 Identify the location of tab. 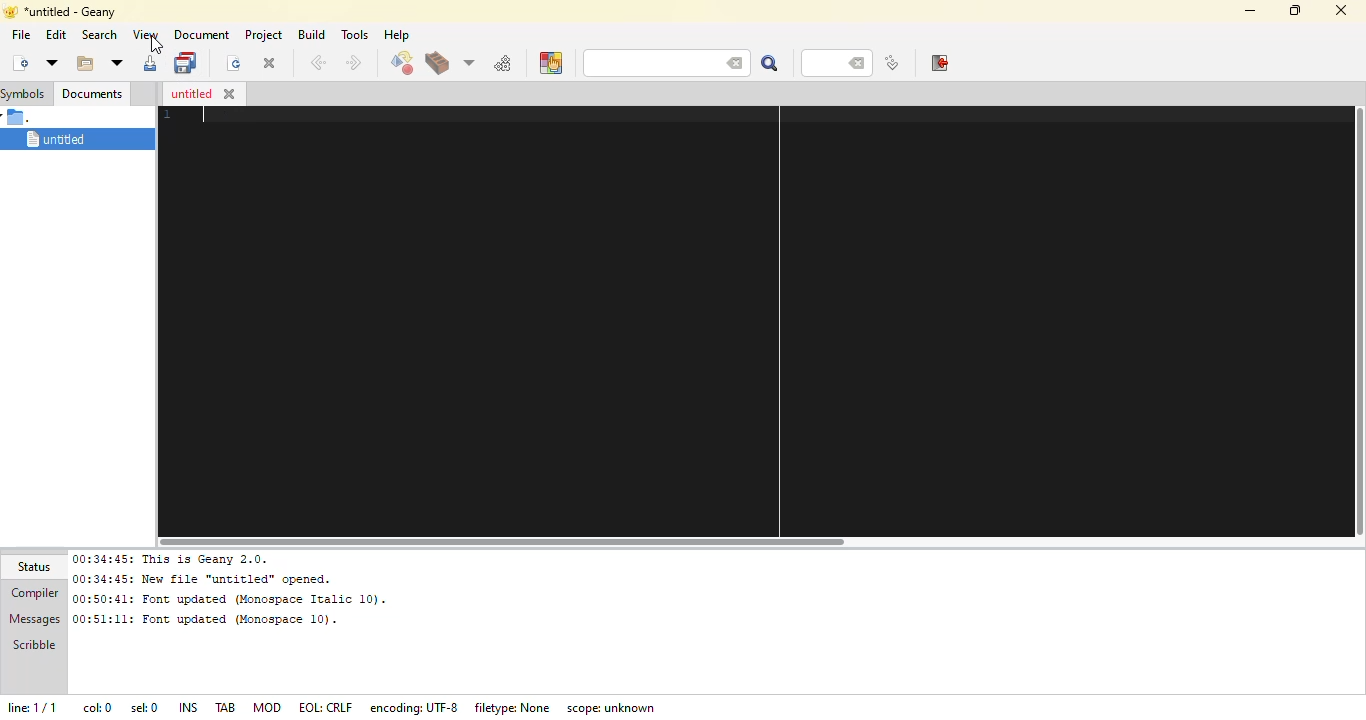
(226, 707).